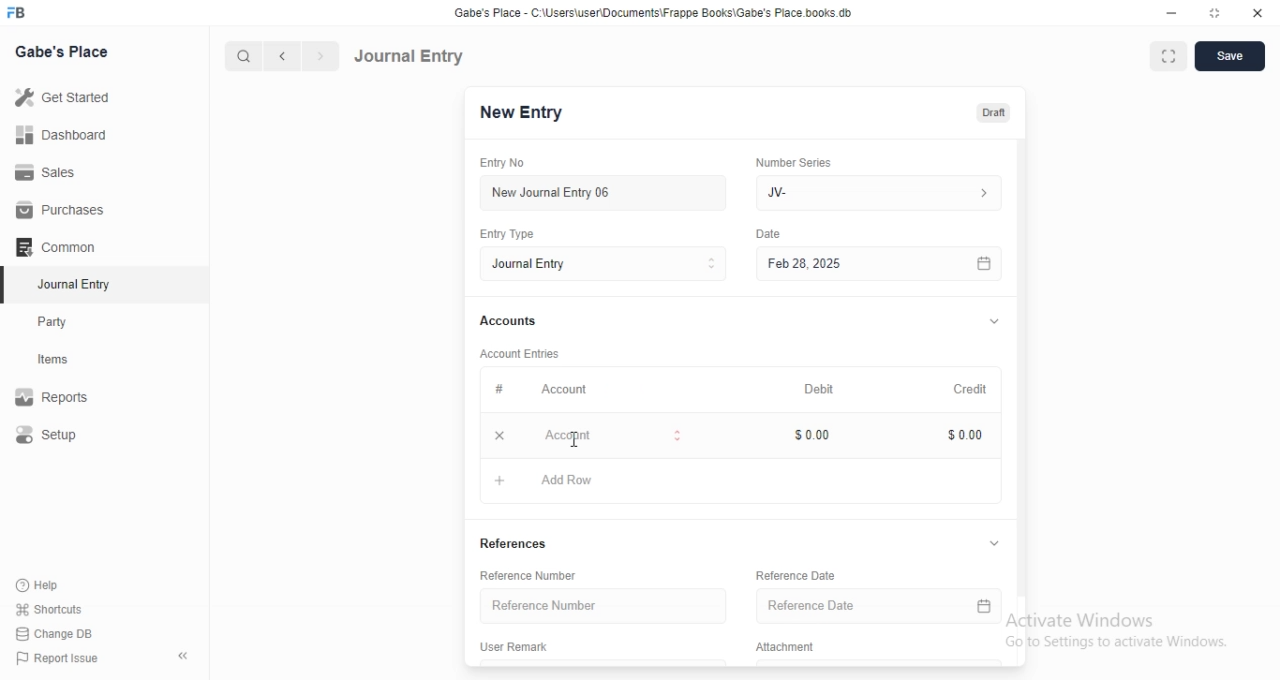 This screenshot has width=1280, height=680. I want to click on Reference Date, so click(806, 574).